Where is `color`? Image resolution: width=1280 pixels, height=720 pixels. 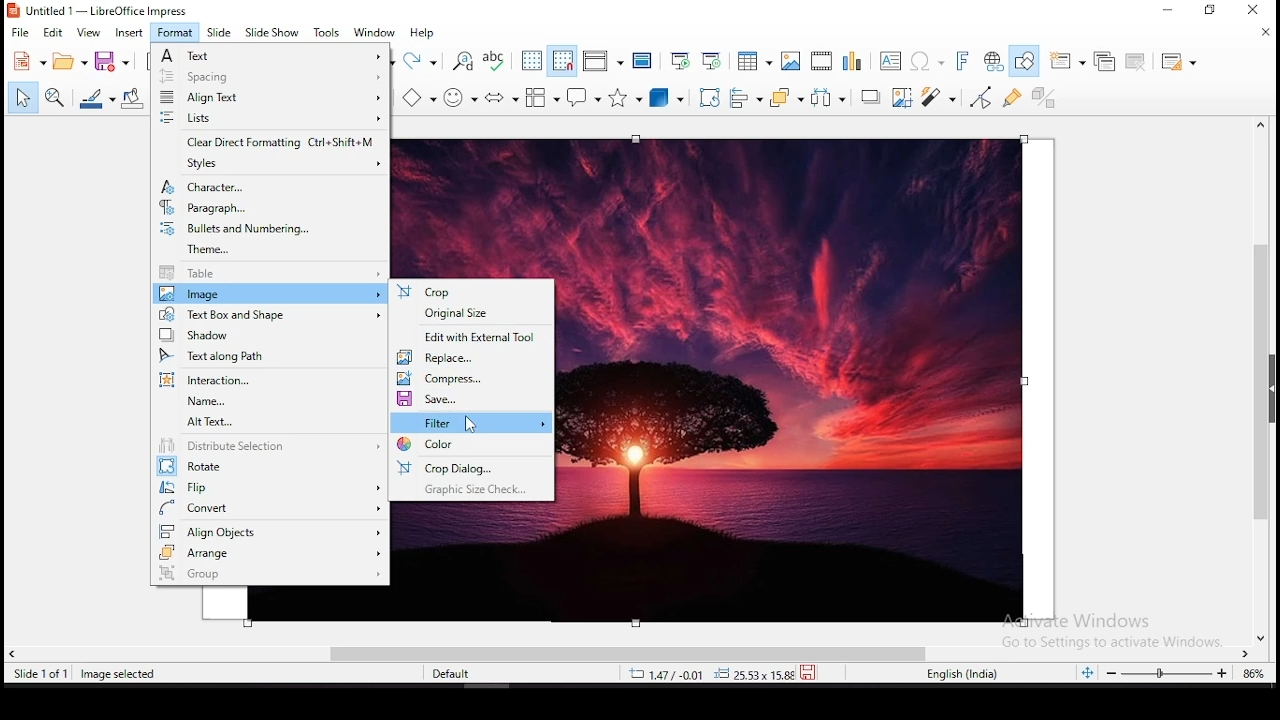
color is located at coordinates (472, 445).